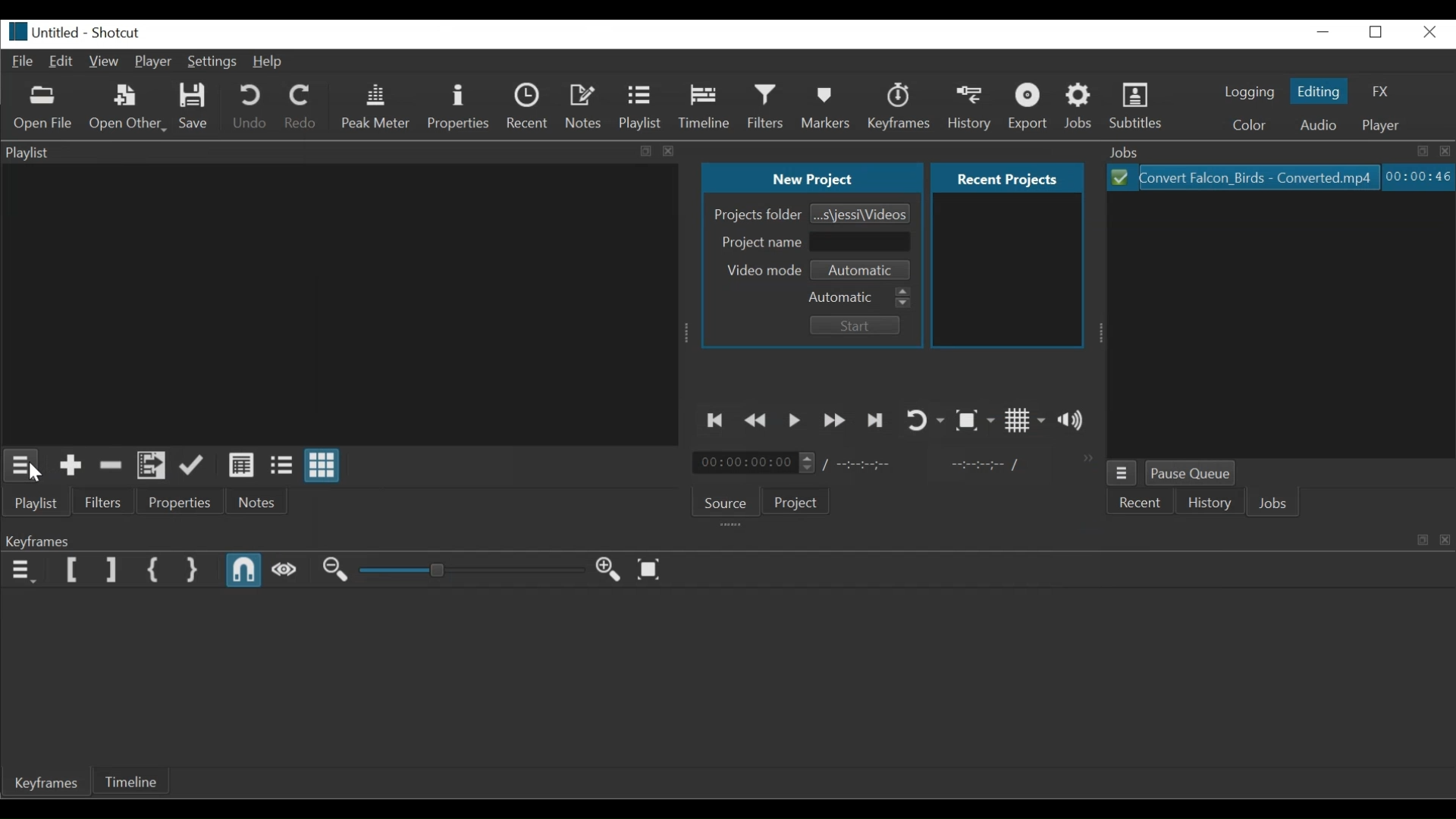 This screenshot has width=1456, height=819. What do you see at coordinates (251, 107) in the screenshot?
I see `Undo` at bounding box center [251, 107].